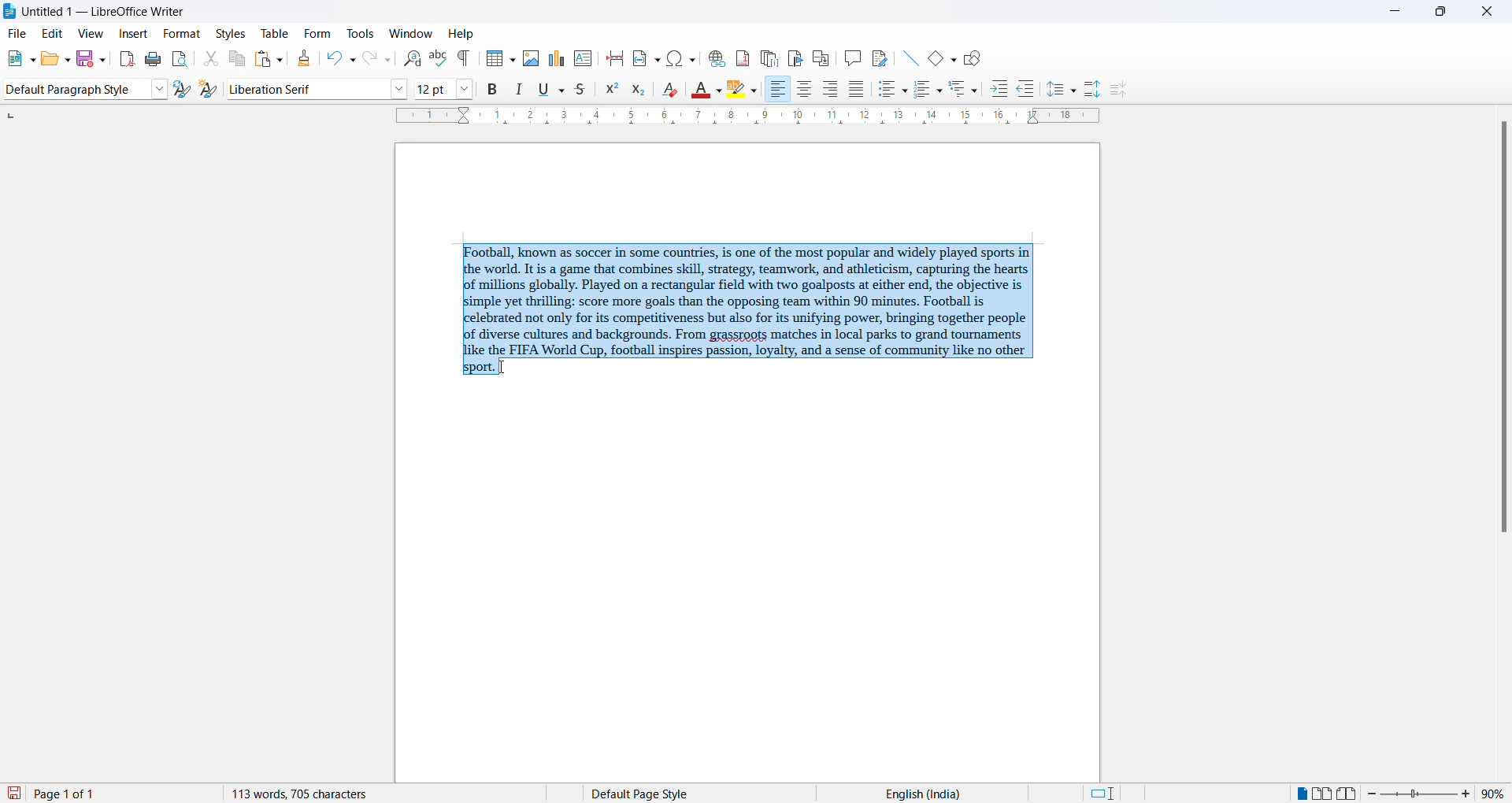 The width and height of the screenshot is (1512, 803). Describe the element at coordinates (639, 90) in the screenshot. I see `subscript` at that location.